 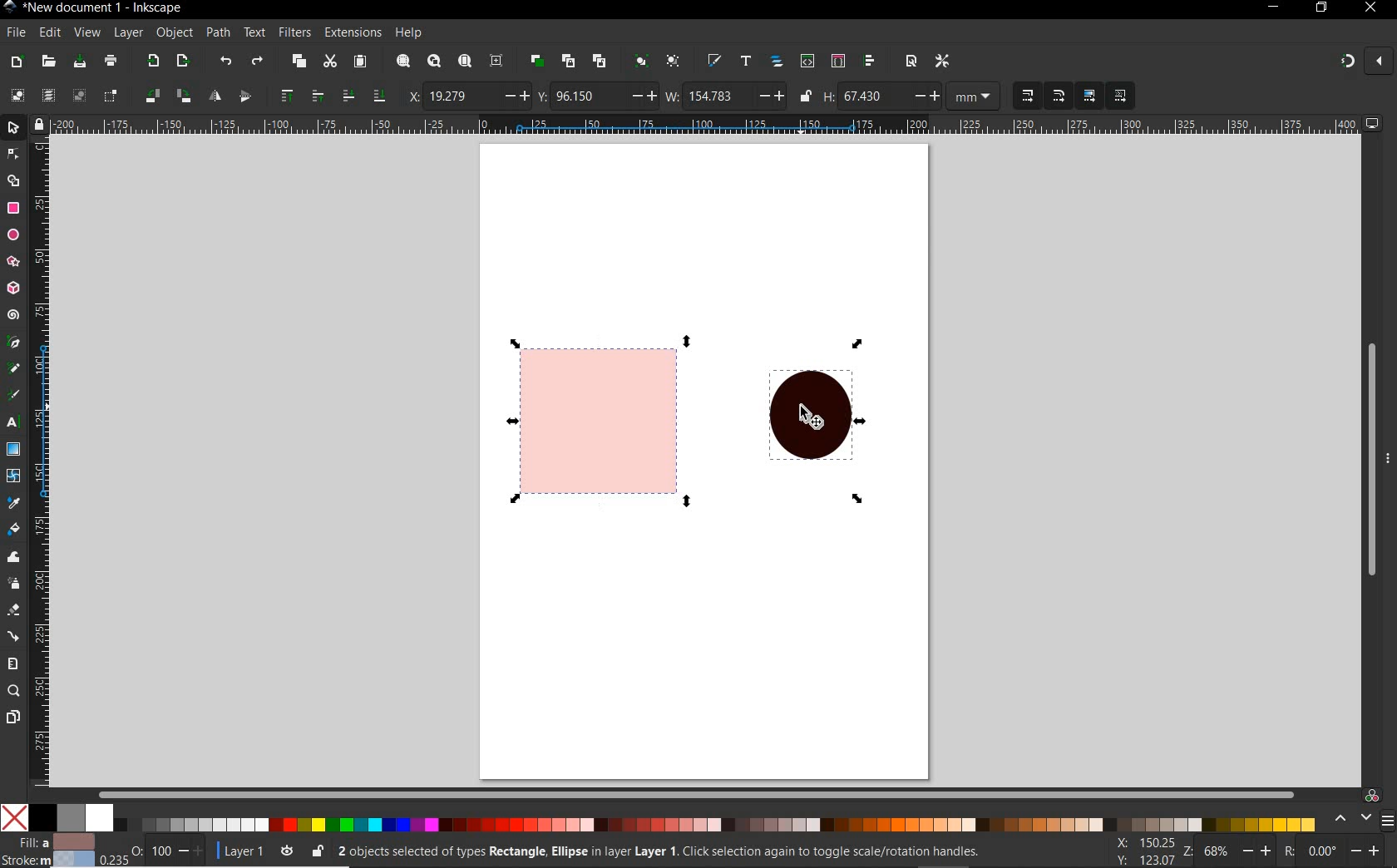 I want to click on mesh tool, so click(x=13, y=476).